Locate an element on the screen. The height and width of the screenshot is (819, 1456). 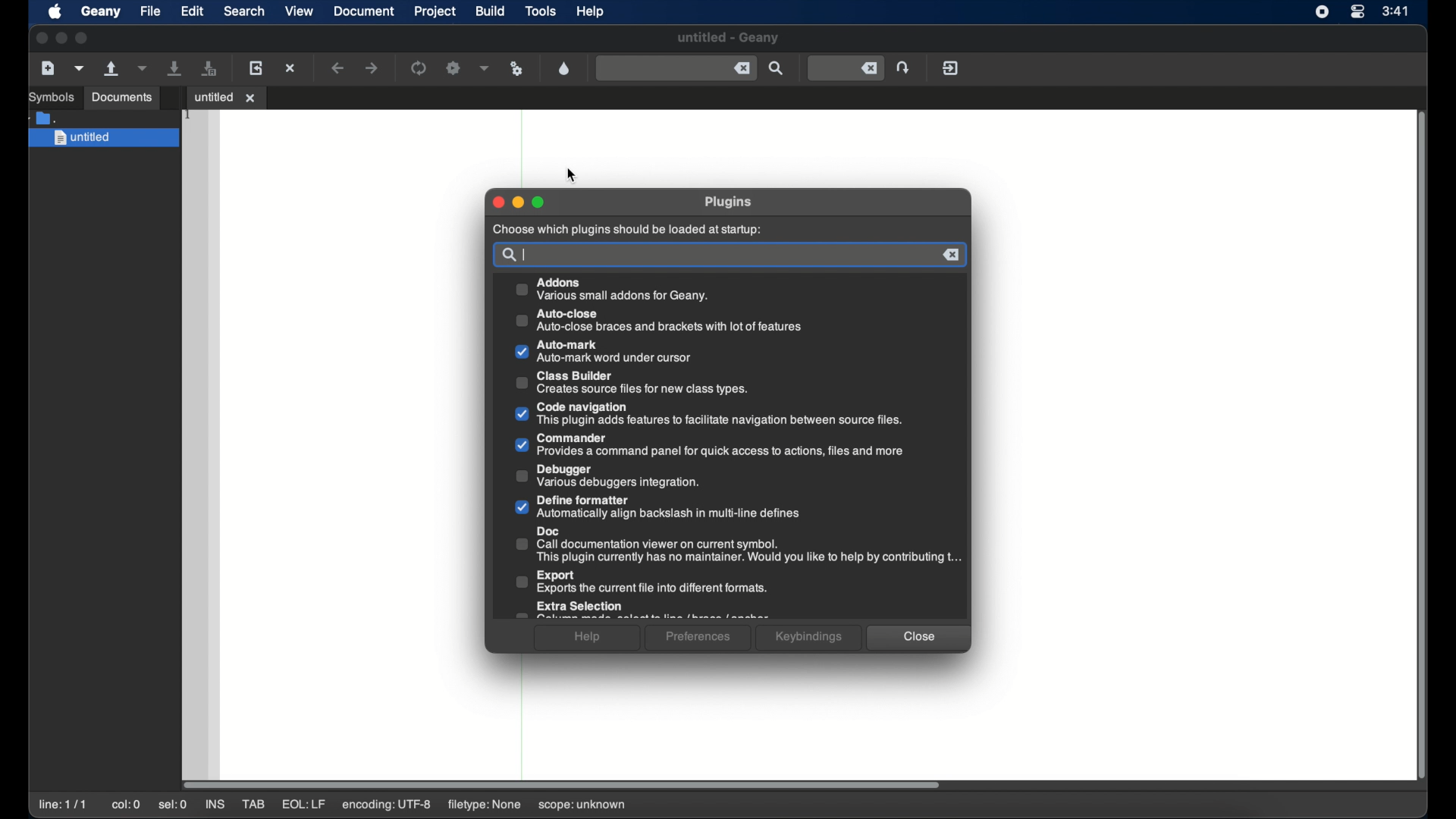
line: 1/1 is located at coordinates (63, 805).